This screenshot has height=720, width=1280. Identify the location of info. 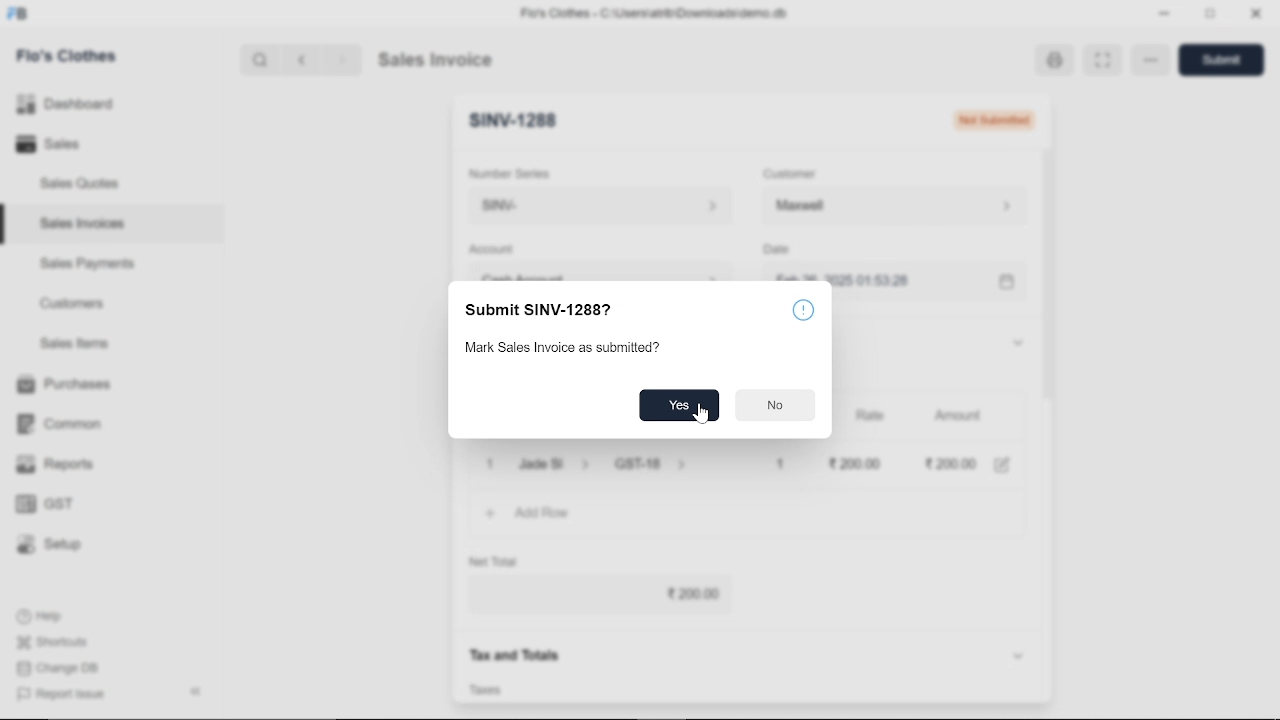
(804, 309).